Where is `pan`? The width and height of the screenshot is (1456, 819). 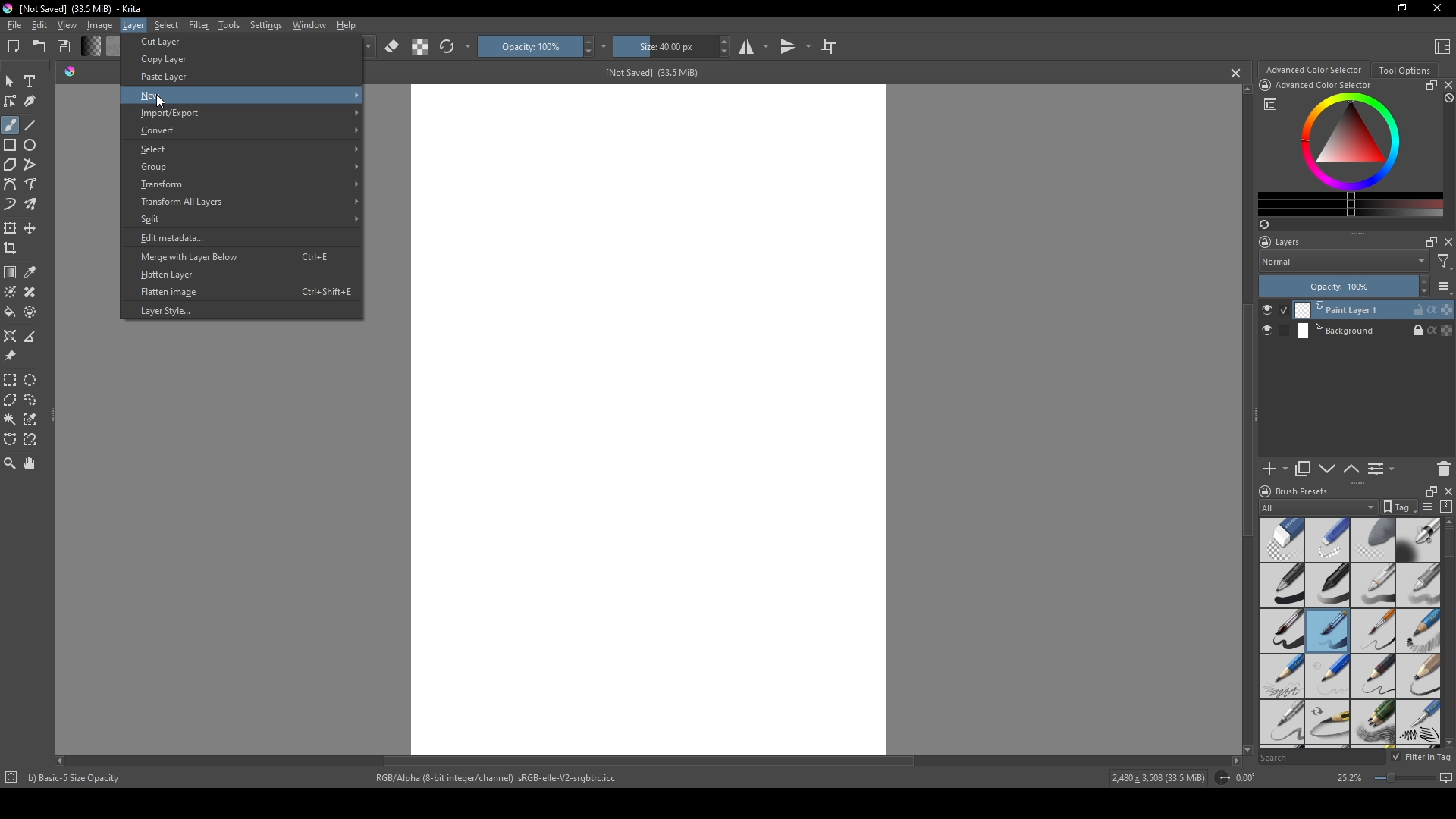
pan is located at coordinates (31, 463).